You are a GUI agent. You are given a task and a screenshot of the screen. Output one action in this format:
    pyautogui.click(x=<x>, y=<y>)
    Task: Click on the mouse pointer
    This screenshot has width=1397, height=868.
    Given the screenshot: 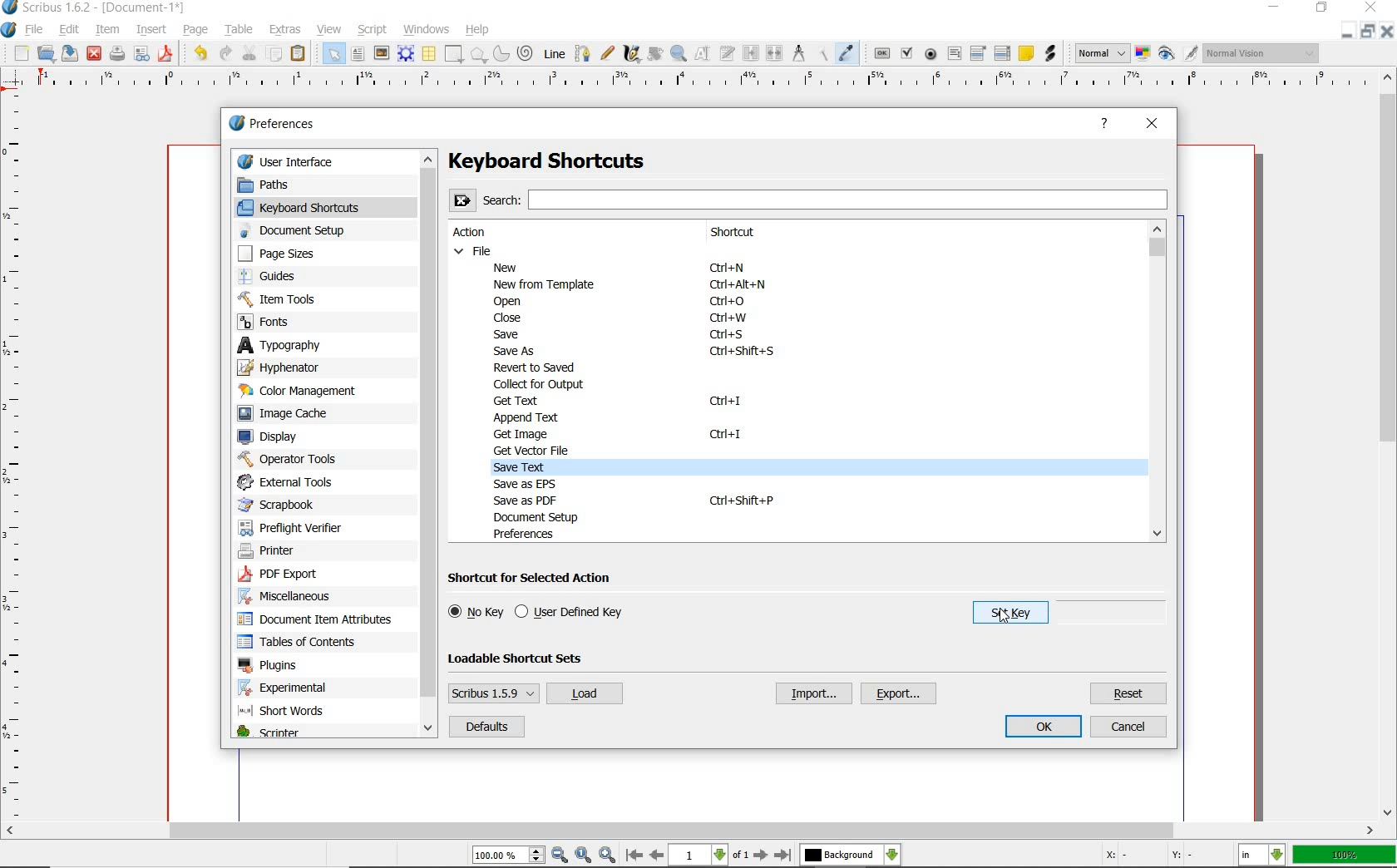 What is the action you would take?
    pyautogui.click(x=1005, y=614)
    